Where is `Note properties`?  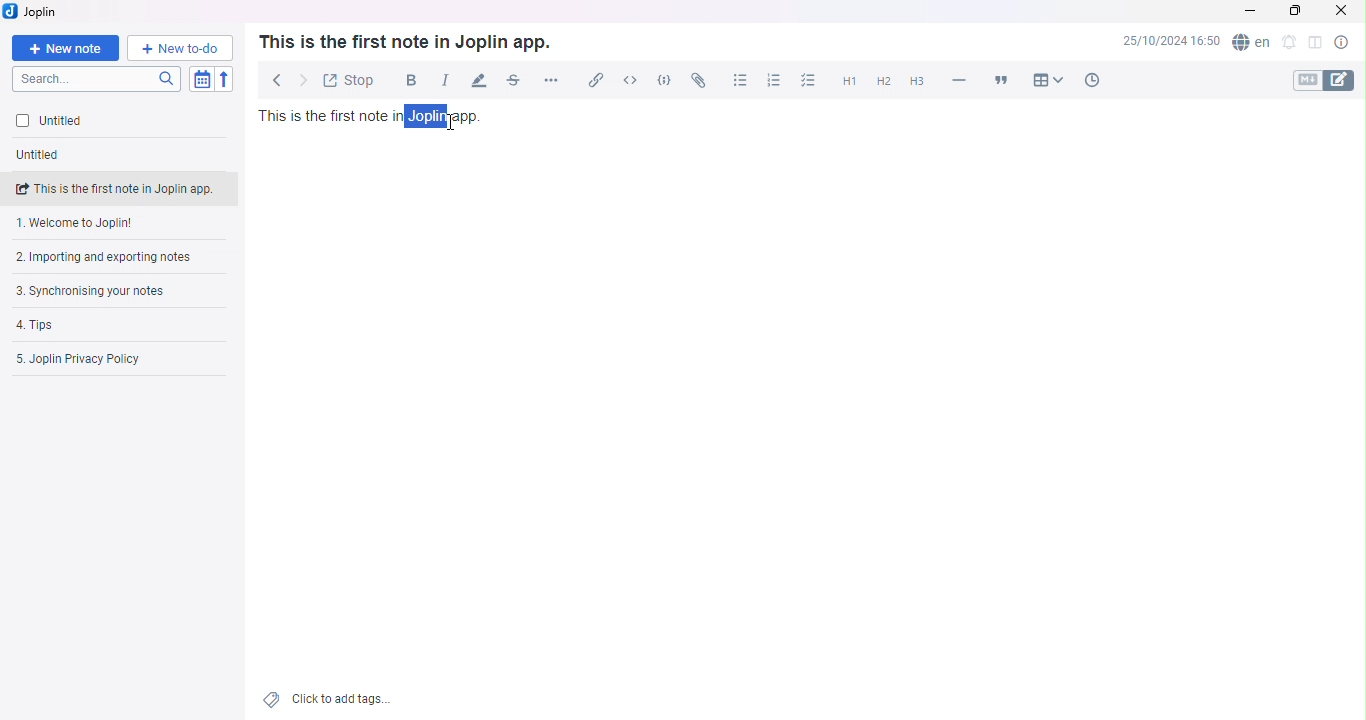
Note properties is located at coordinates (1342, 43).